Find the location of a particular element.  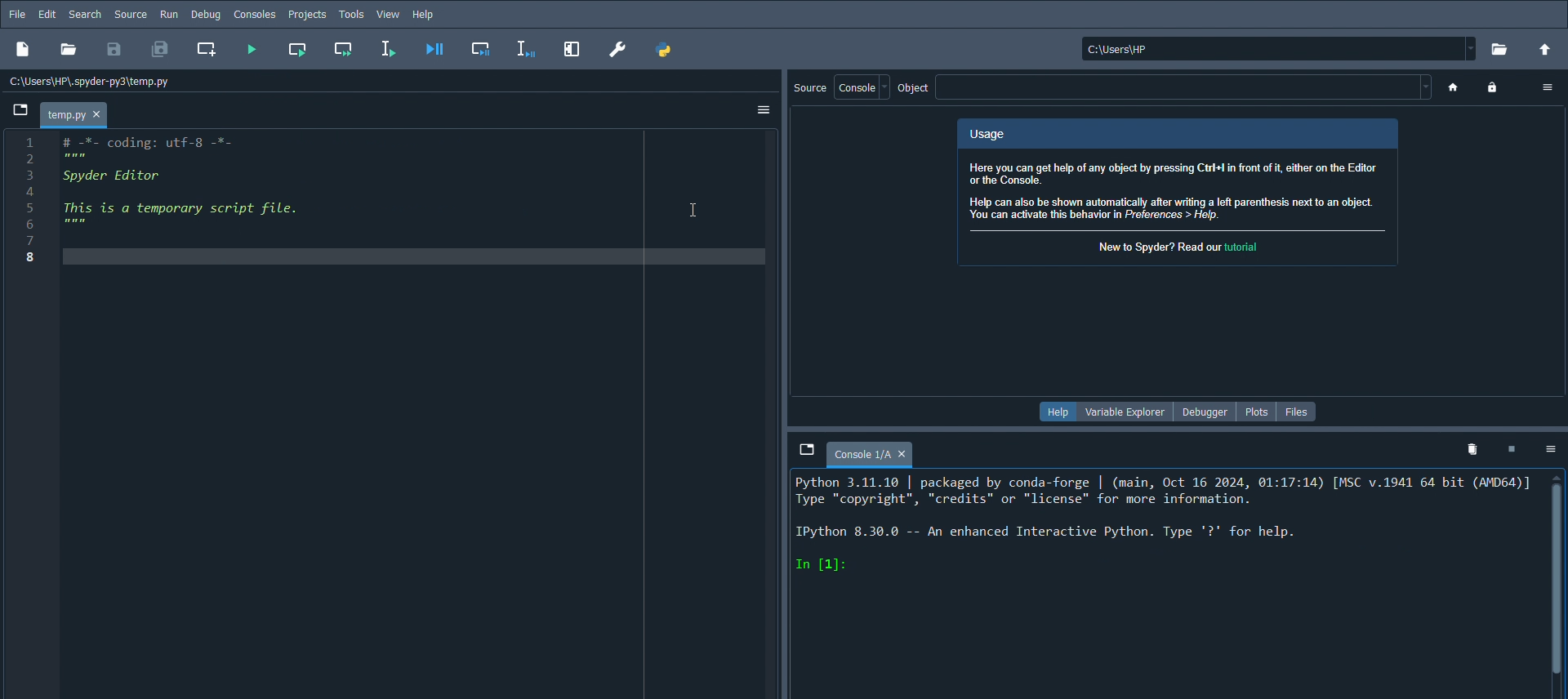

View is located at coordinates (390, 16).